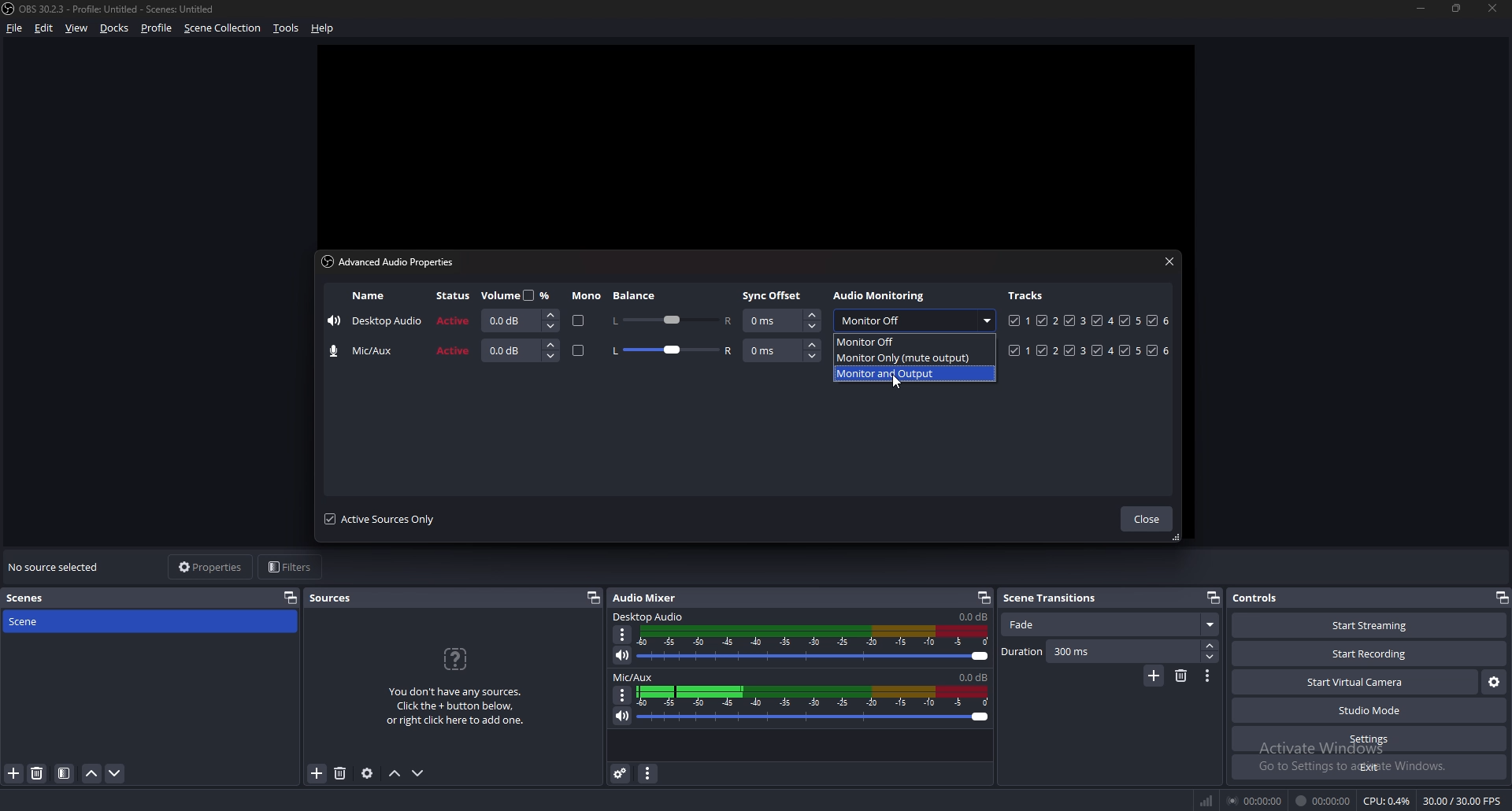 This screenshot has width=1512, height=811. Describe the element at coordinates (1354, 683) in the screenshot. I see `start virtual camera` at that location.